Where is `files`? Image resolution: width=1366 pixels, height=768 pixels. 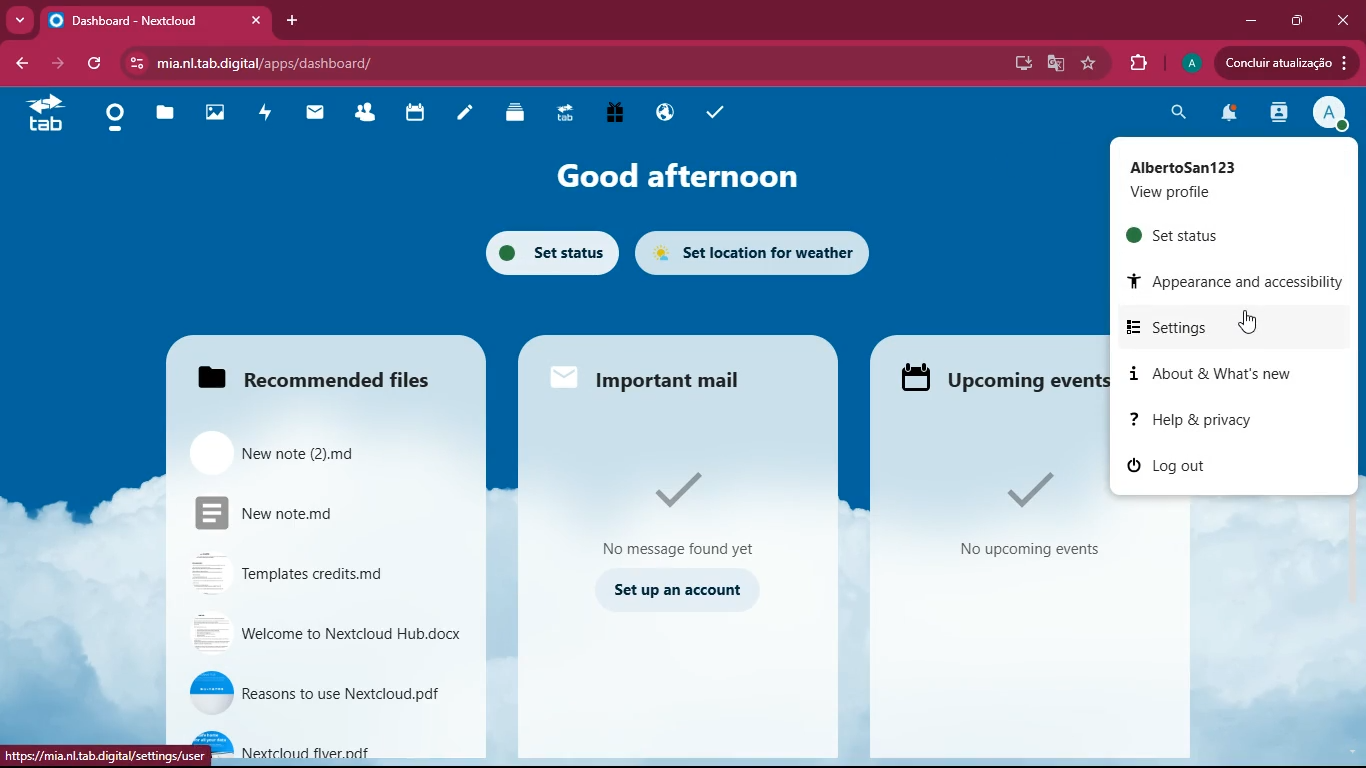
files is located at coordinates (310, 376).